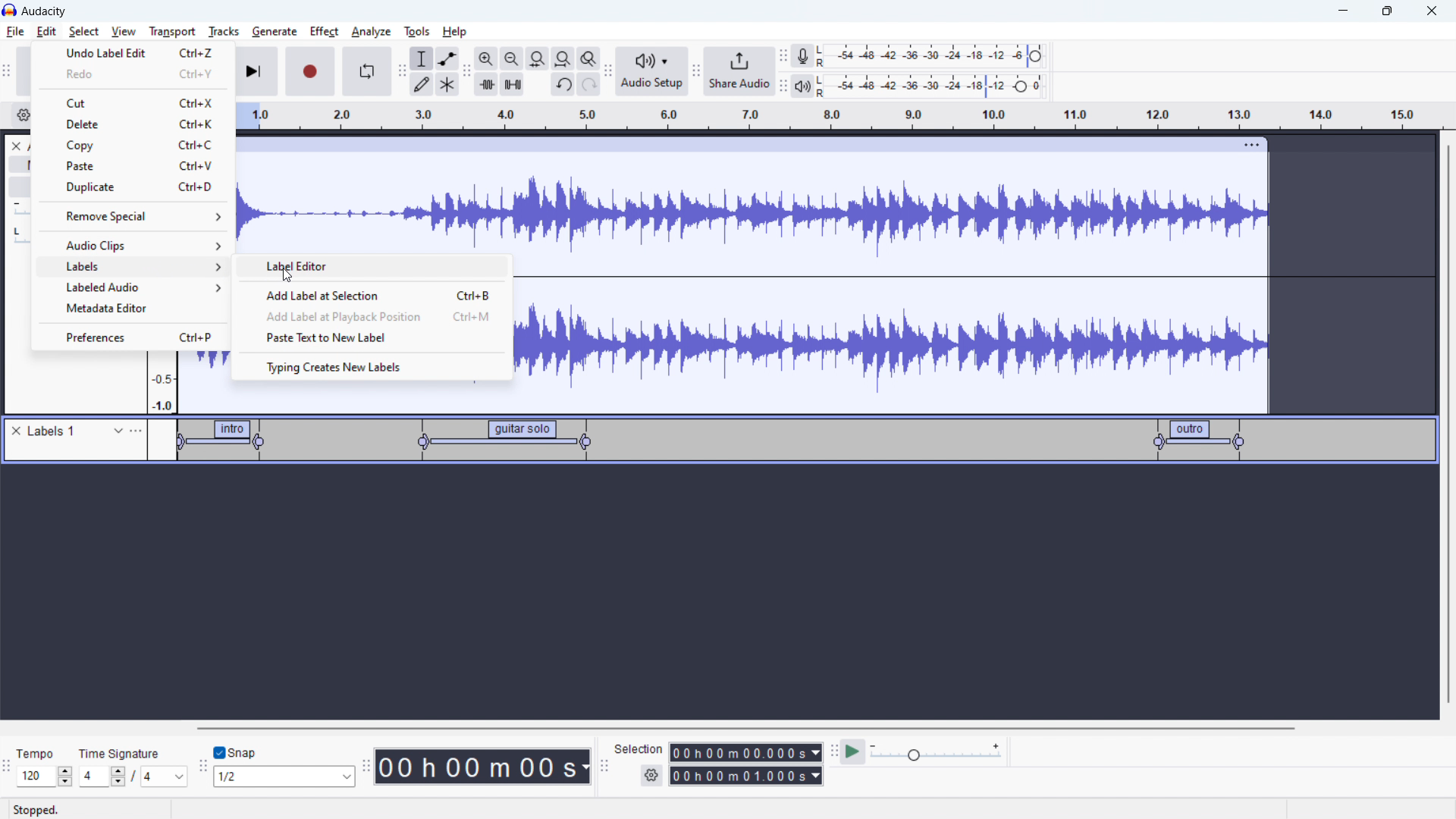  What do you see at coordinates (415, 31) in the screenshot?
I see `tools` at bounding box center [415, 31].